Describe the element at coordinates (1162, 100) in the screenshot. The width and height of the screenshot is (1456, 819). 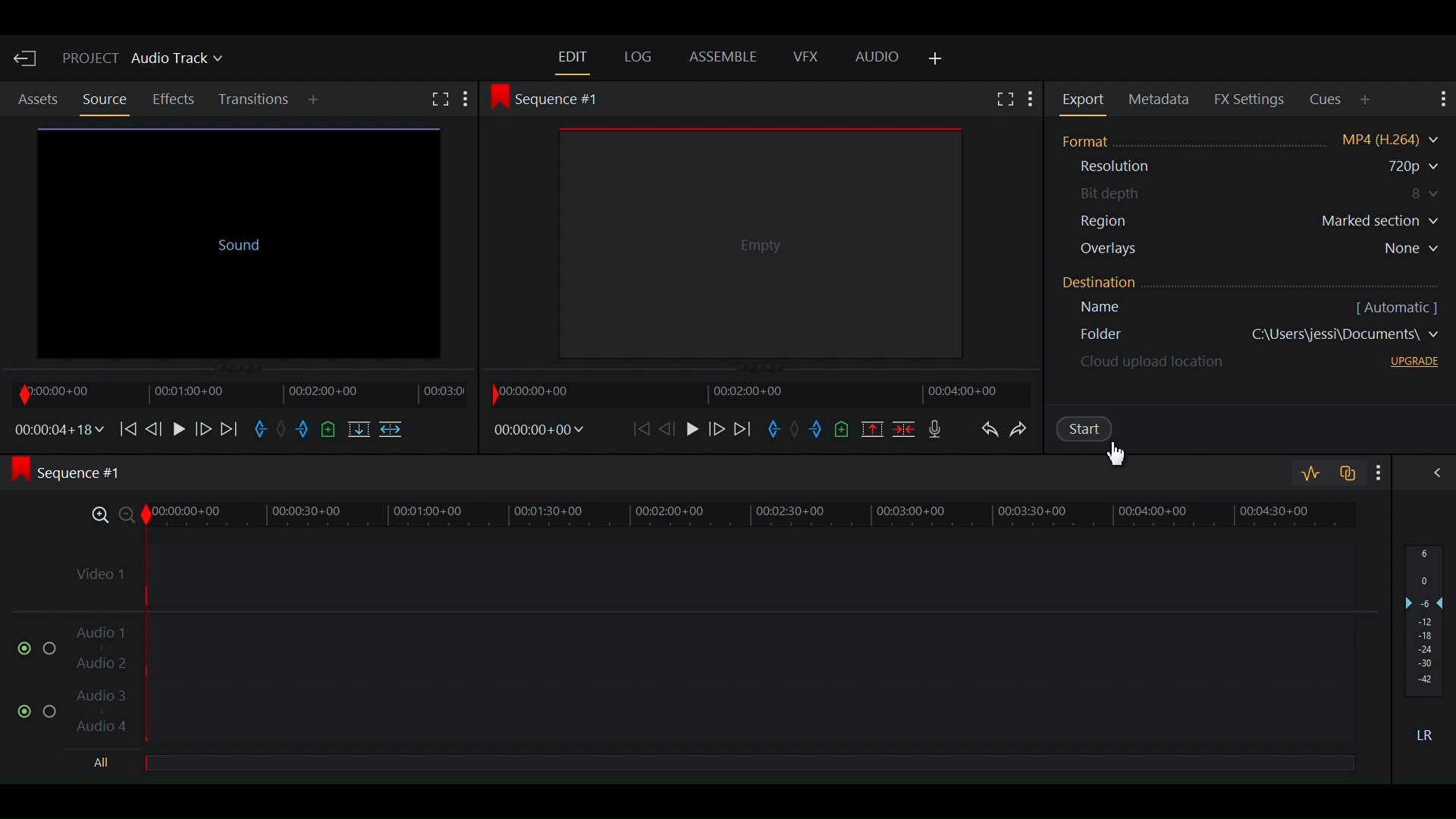
I see `Metadata` at that location.